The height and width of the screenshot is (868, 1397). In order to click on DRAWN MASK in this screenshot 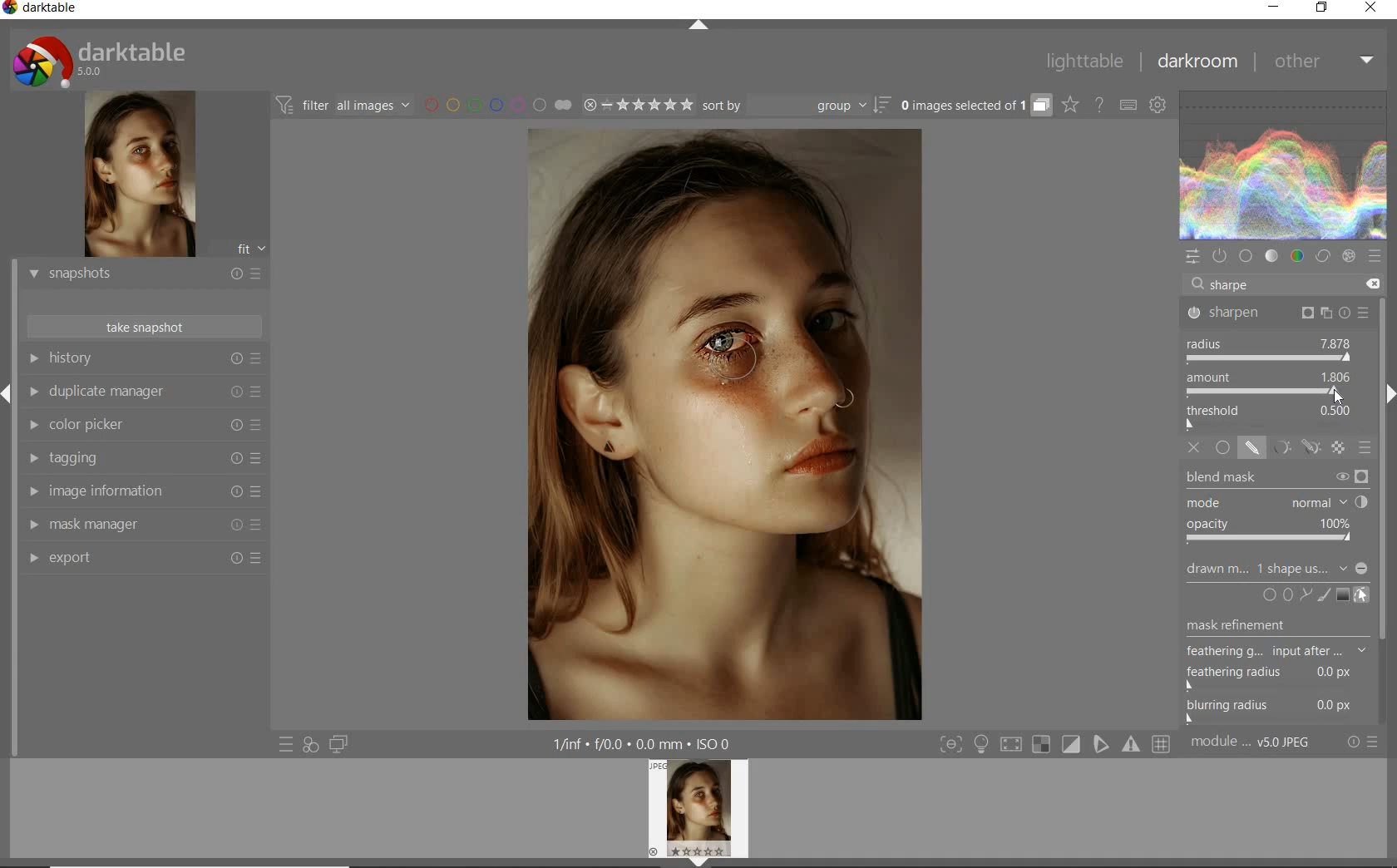, I will do `click(1275, 569)`.